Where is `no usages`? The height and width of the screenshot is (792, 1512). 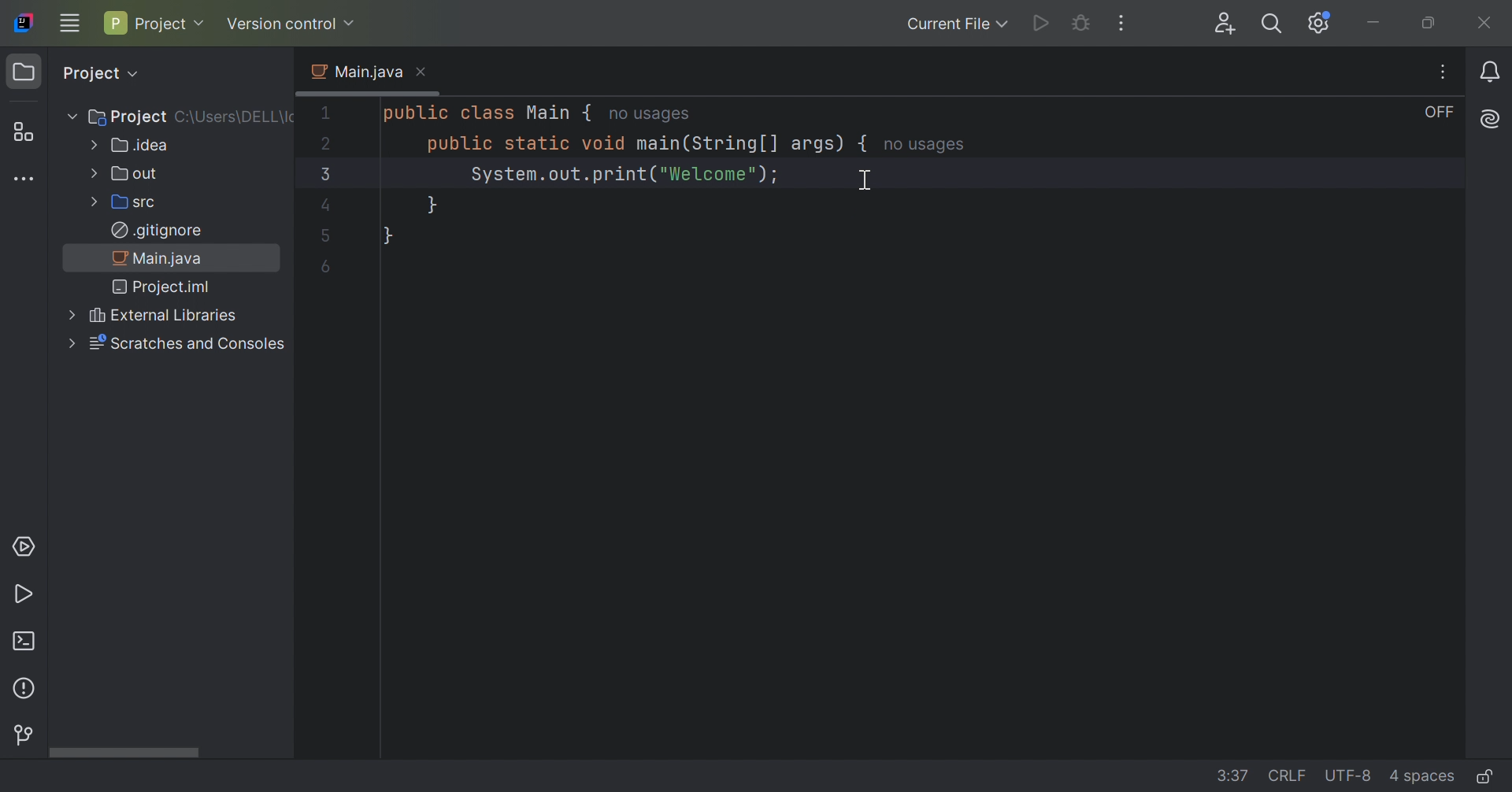
no usages is located at coordinates (926, 146).